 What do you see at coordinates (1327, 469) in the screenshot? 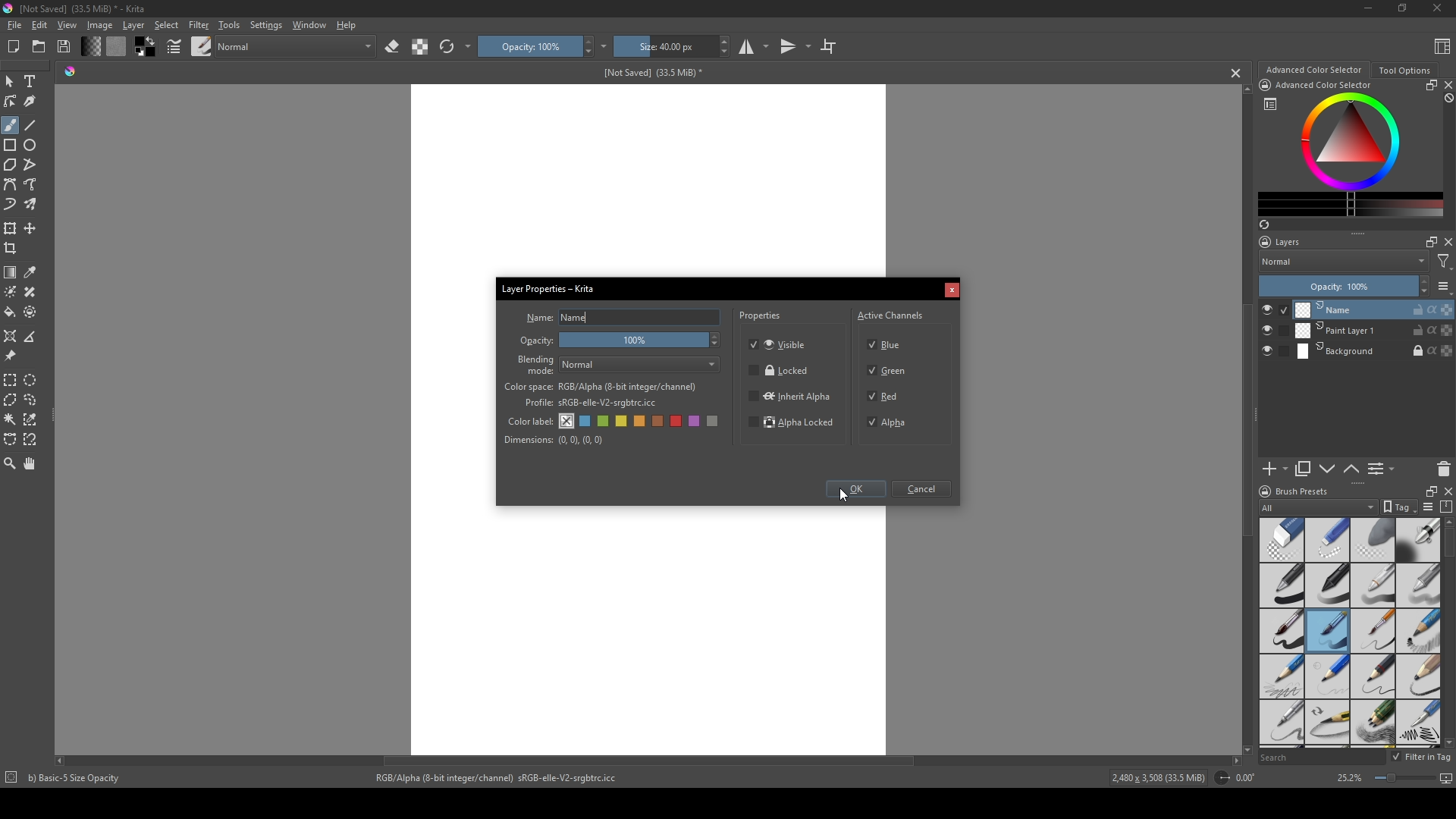
I see `down` at bounding box center [1327, 469].